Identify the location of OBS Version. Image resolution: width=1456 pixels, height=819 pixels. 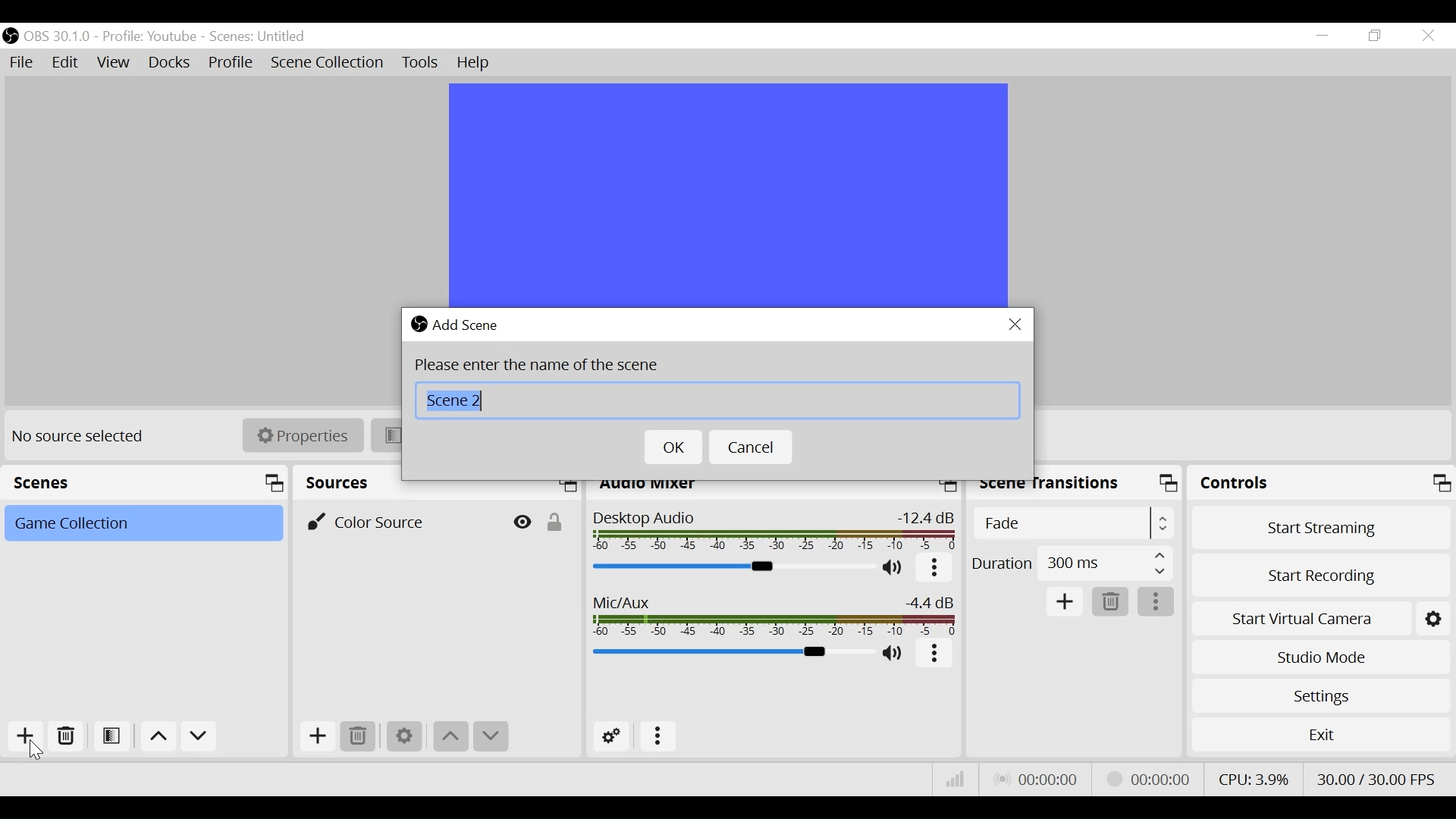
(60, 36).